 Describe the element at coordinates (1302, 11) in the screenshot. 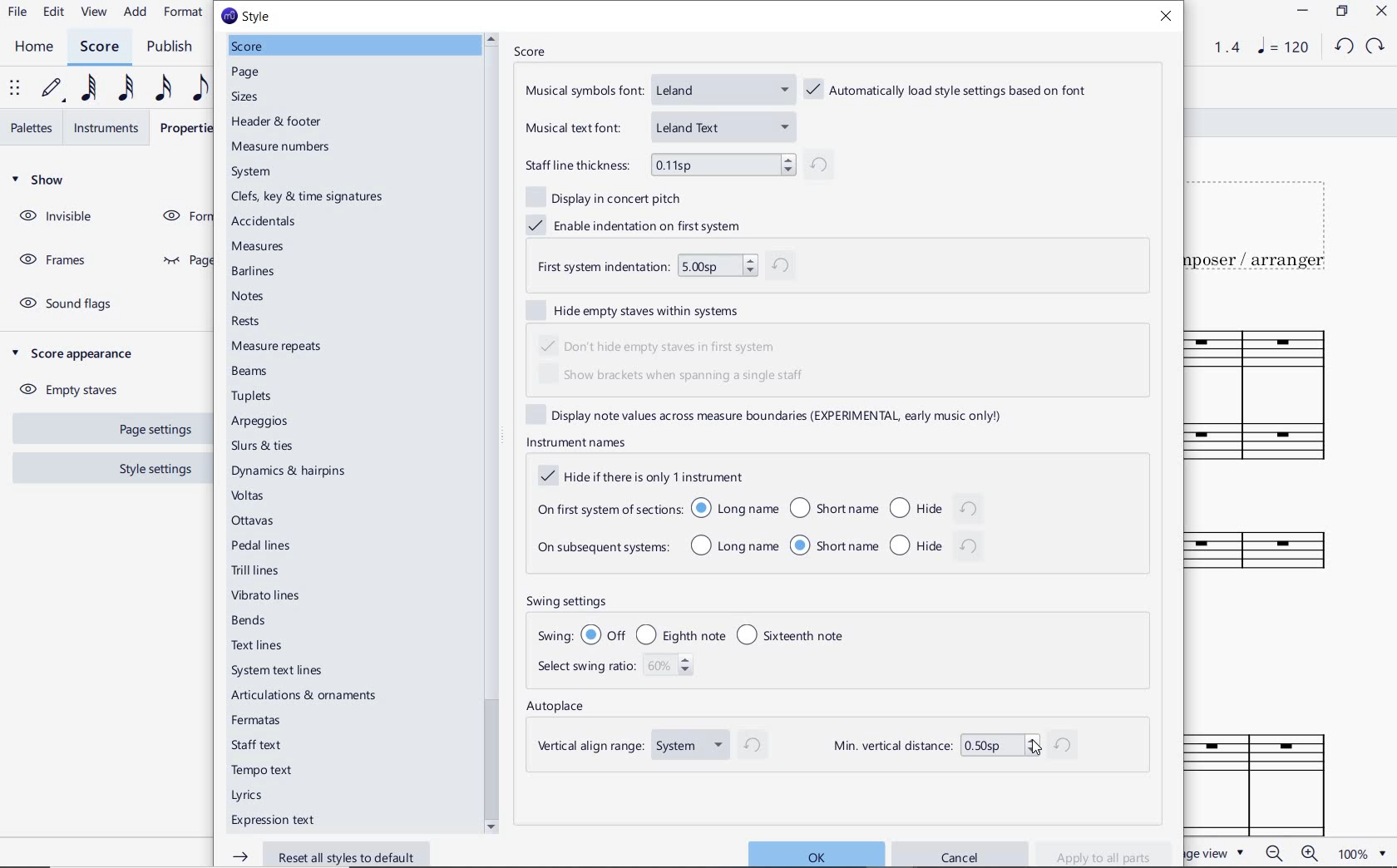

I see `MINIMIZE` at that location.